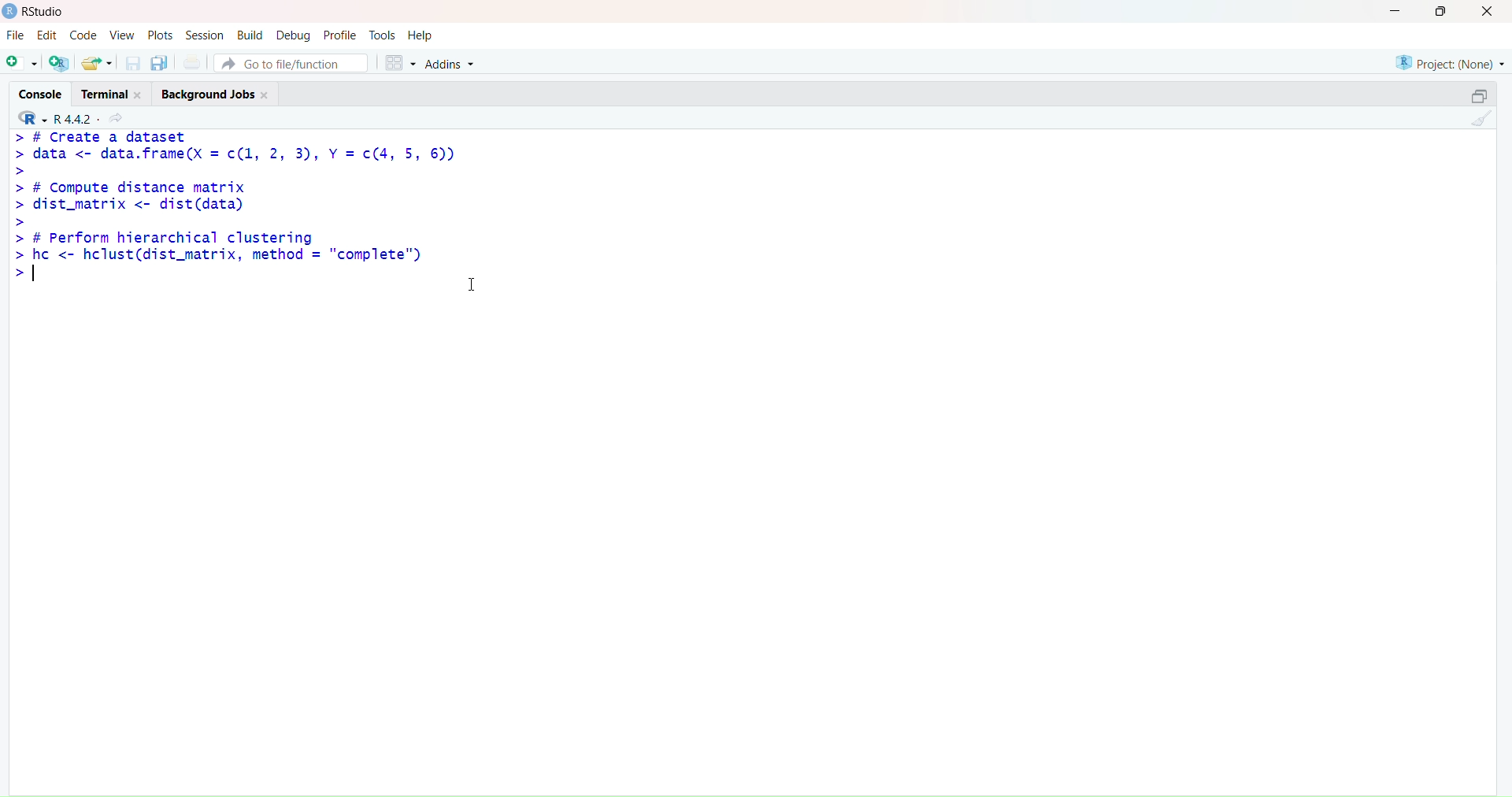 Image resolution: width=1512 pixels, height=797 pixels. I want to click on Background Jobs, so click(213, 91).